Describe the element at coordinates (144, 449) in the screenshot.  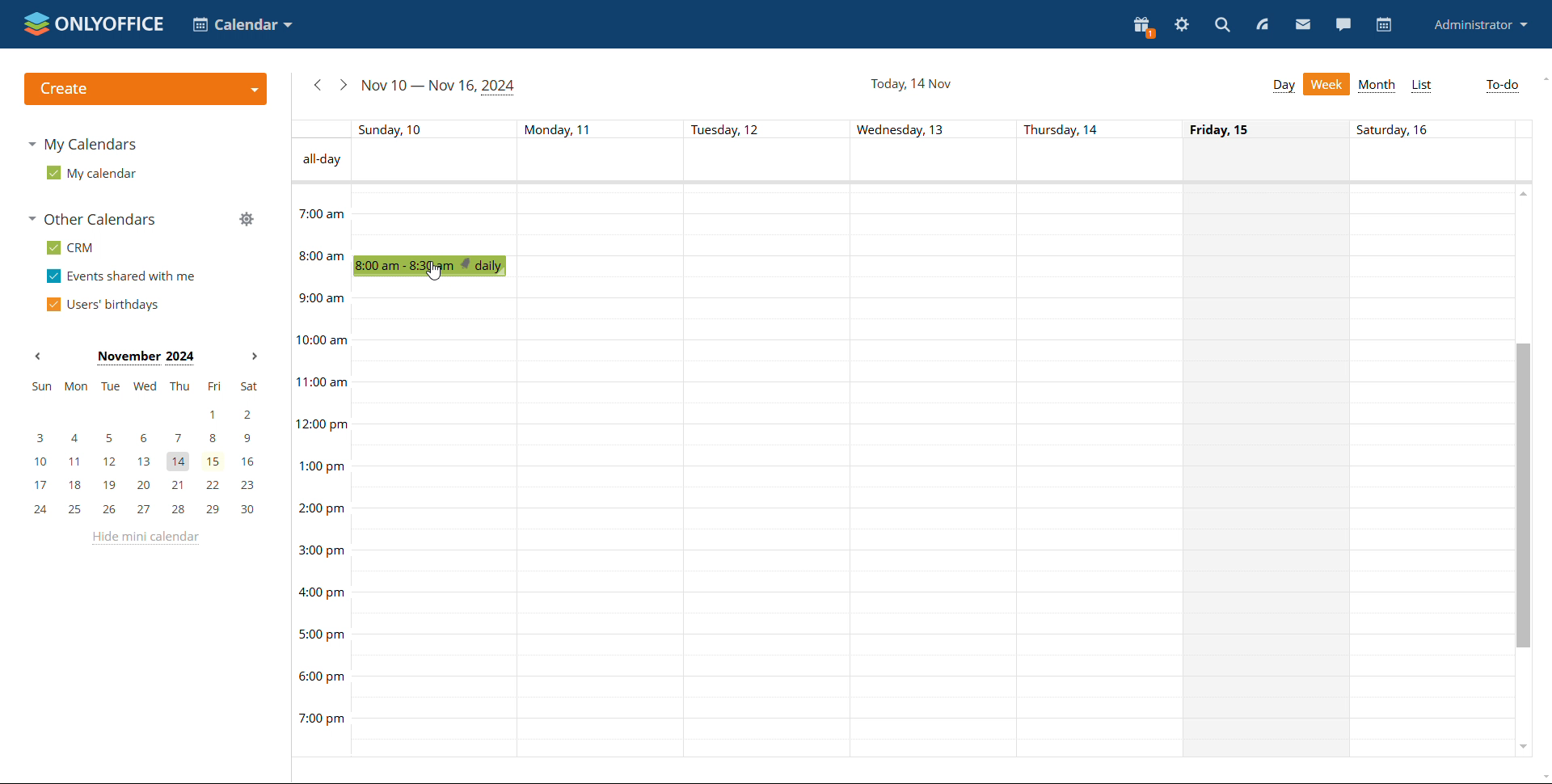
I see `mini calendar` at that location.